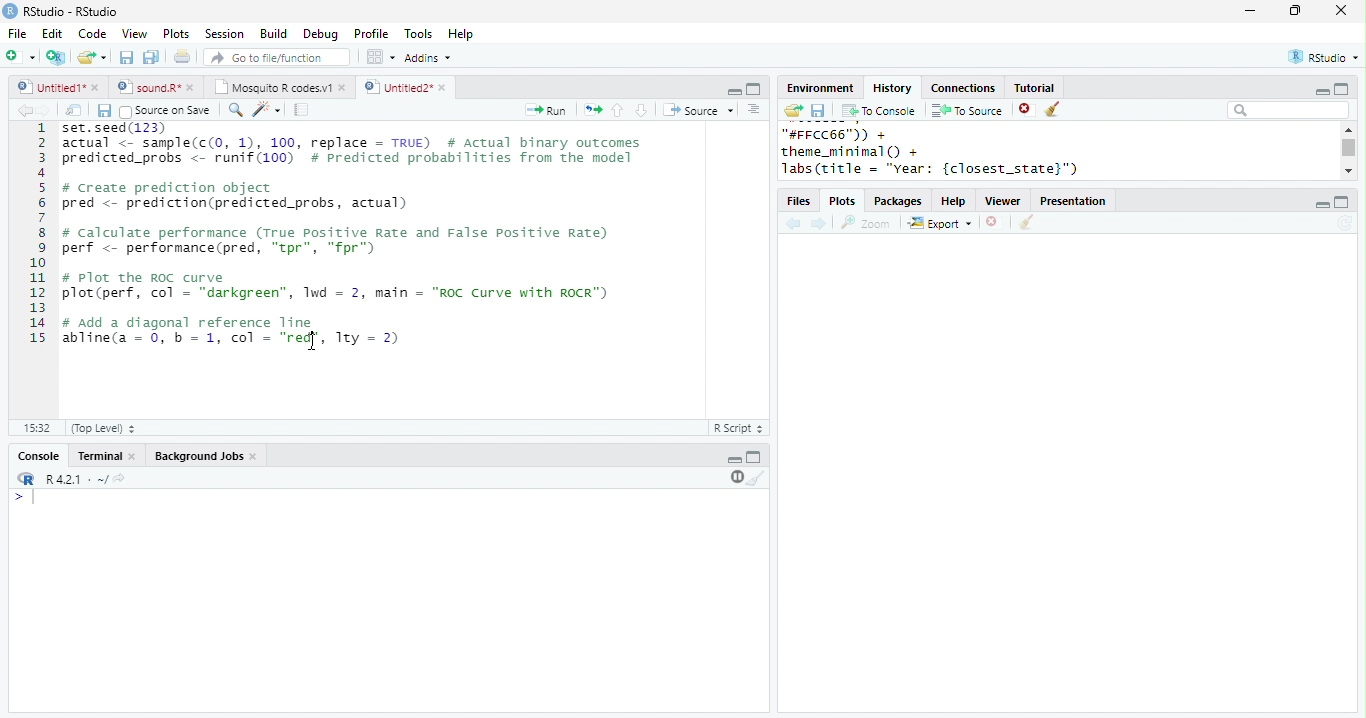 The image size is (1366, 718). Describe the element at coordinates (73, 480) in the screenshot. I see `R 4.2.1 .~/` at that location.